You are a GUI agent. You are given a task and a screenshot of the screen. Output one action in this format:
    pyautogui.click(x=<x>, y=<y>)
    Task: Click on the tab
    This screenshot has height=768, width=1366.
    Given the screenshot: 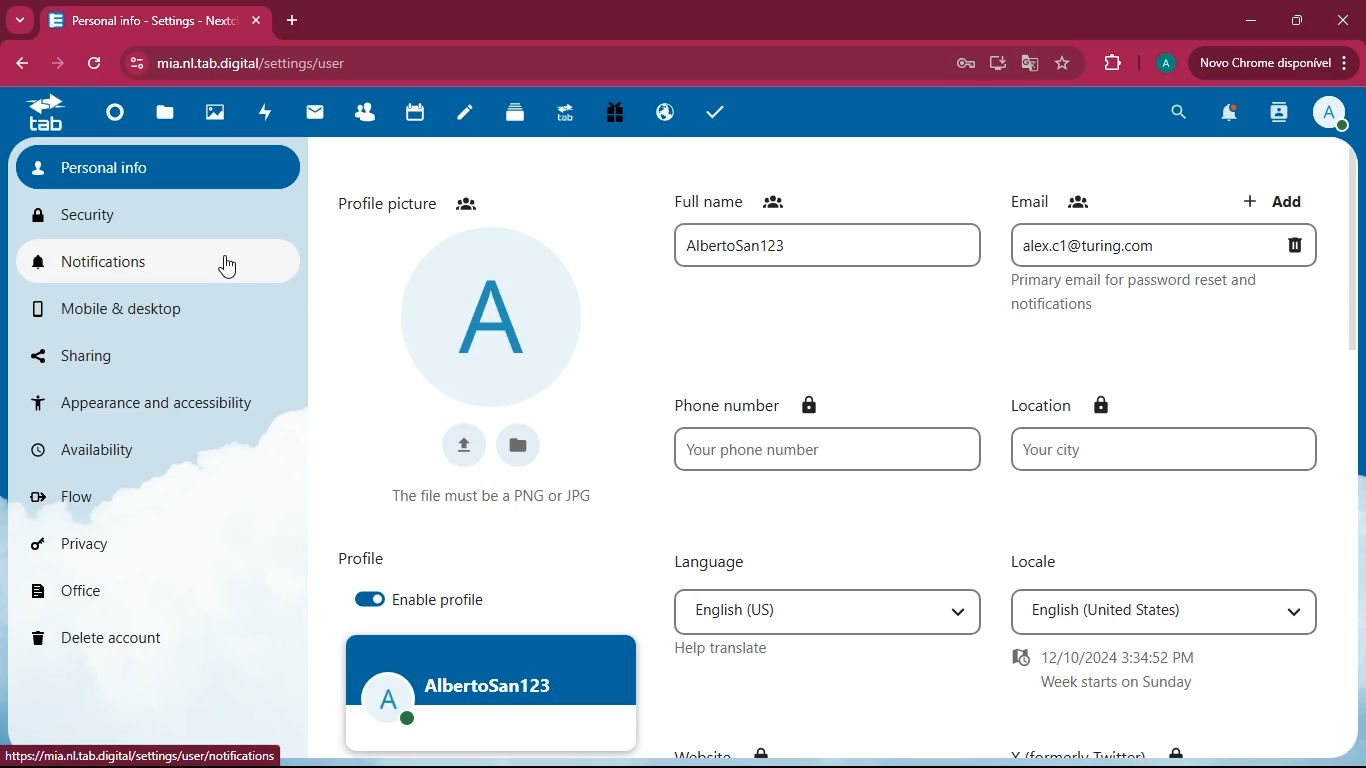 What is the action you would take?
    pyautogui.click(x=44, y=115)
    